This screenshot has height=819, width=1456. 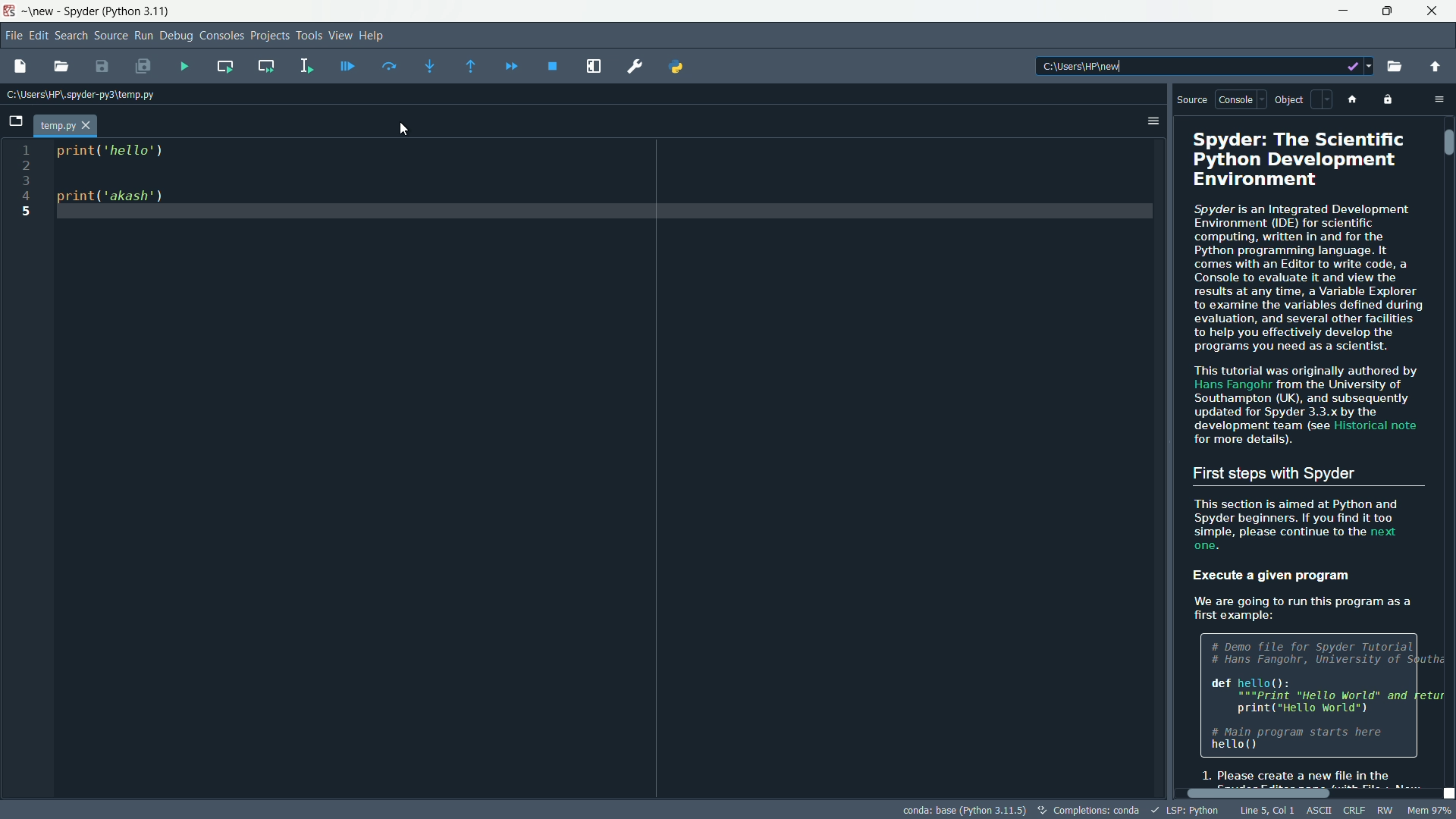 What do you see at coordinates (20, 67) in the screenshot?
I see `new file` at bounding box center [20, 67].